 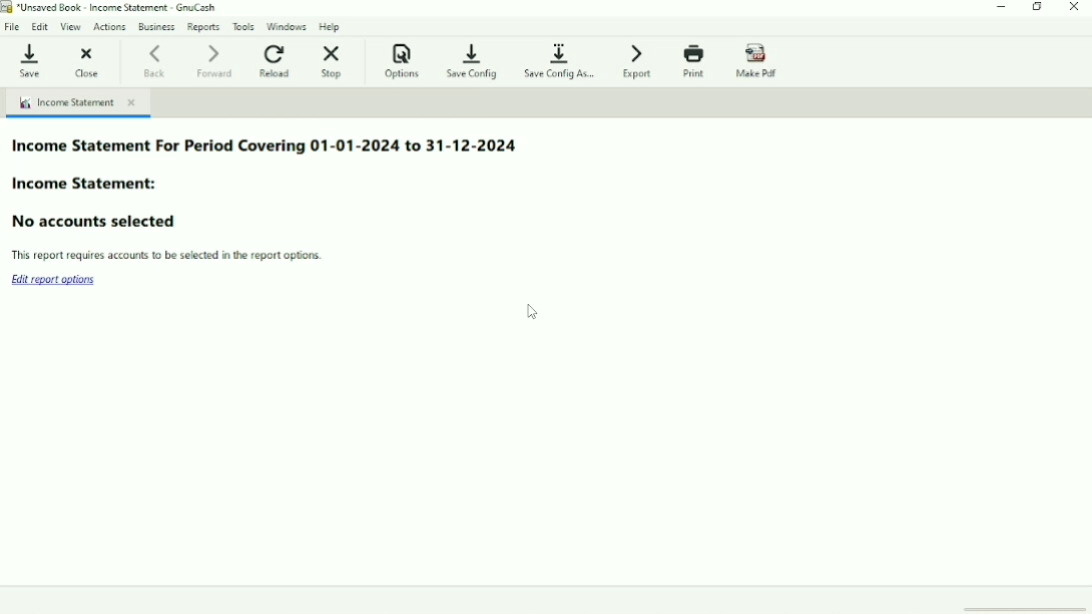 What do you see at coordinates (57, 280) in the screenshot?
I see `Edit report options` at bounding box center [57, 280].